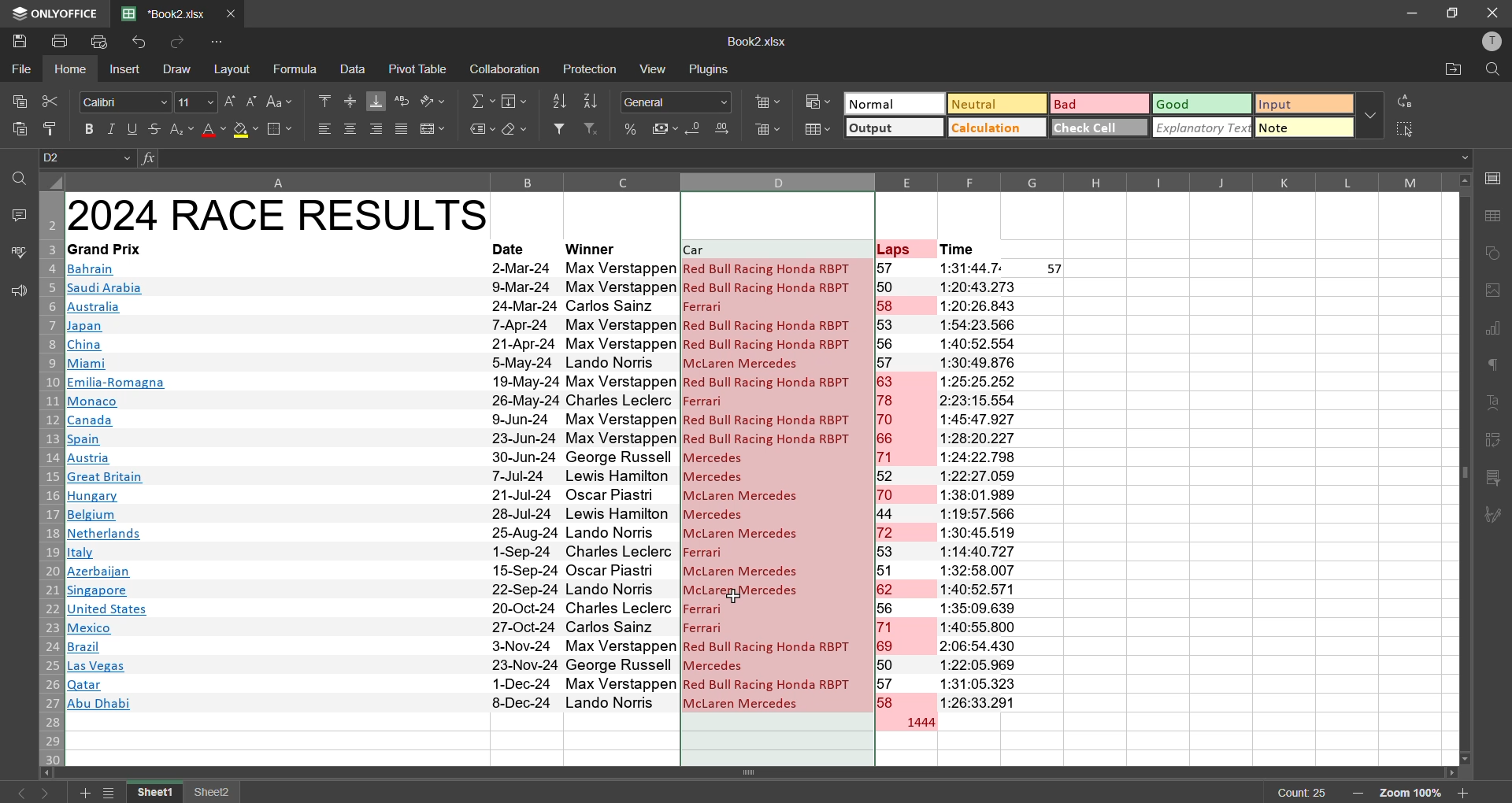 The image size is (1512, 803). Describe the element at coordinates (1463, 793) in the screenshot. I see `zoom in` at that location.